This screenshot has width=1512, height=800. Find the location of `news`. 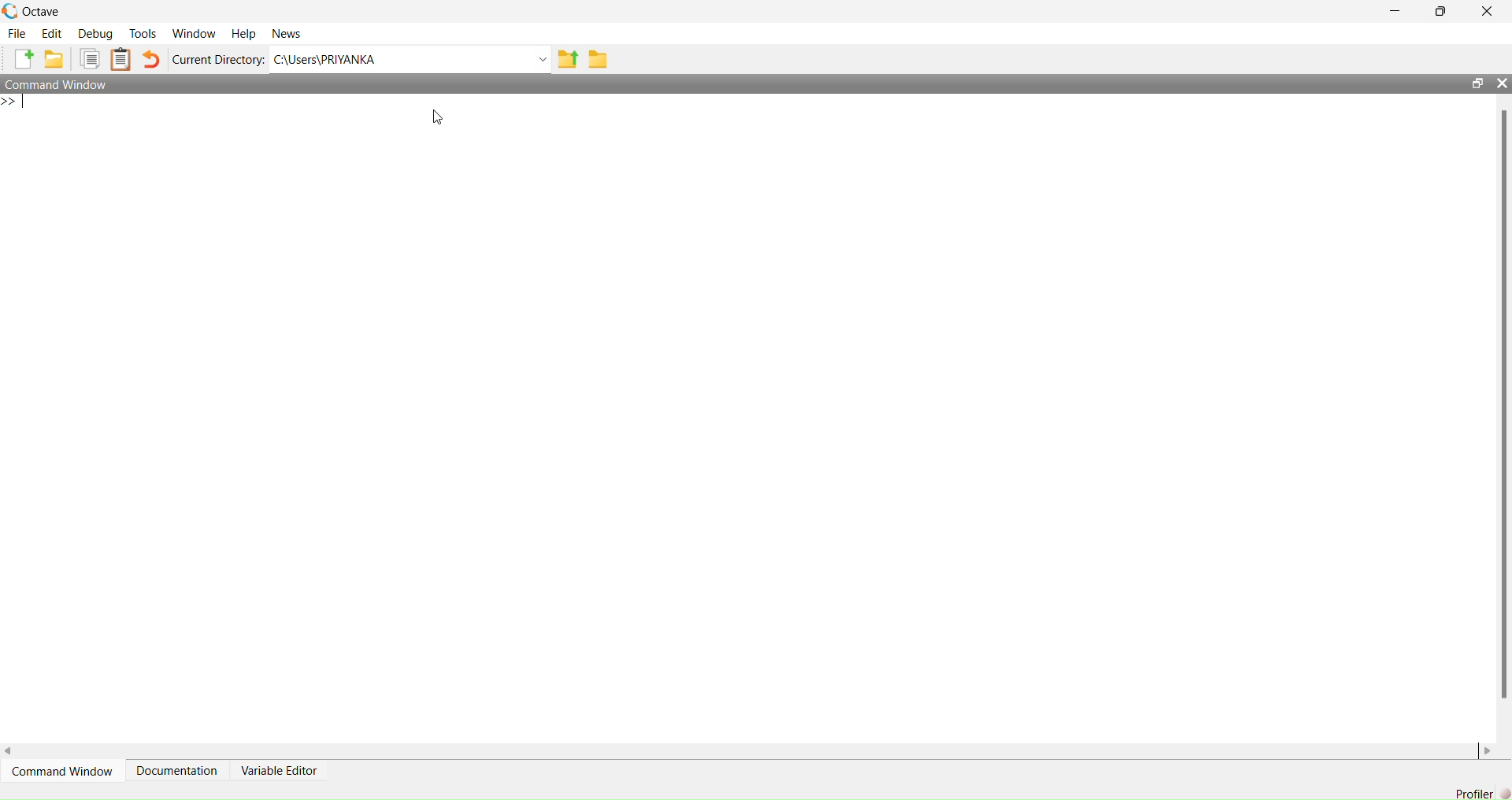

news is located at coordinates (287, 34).